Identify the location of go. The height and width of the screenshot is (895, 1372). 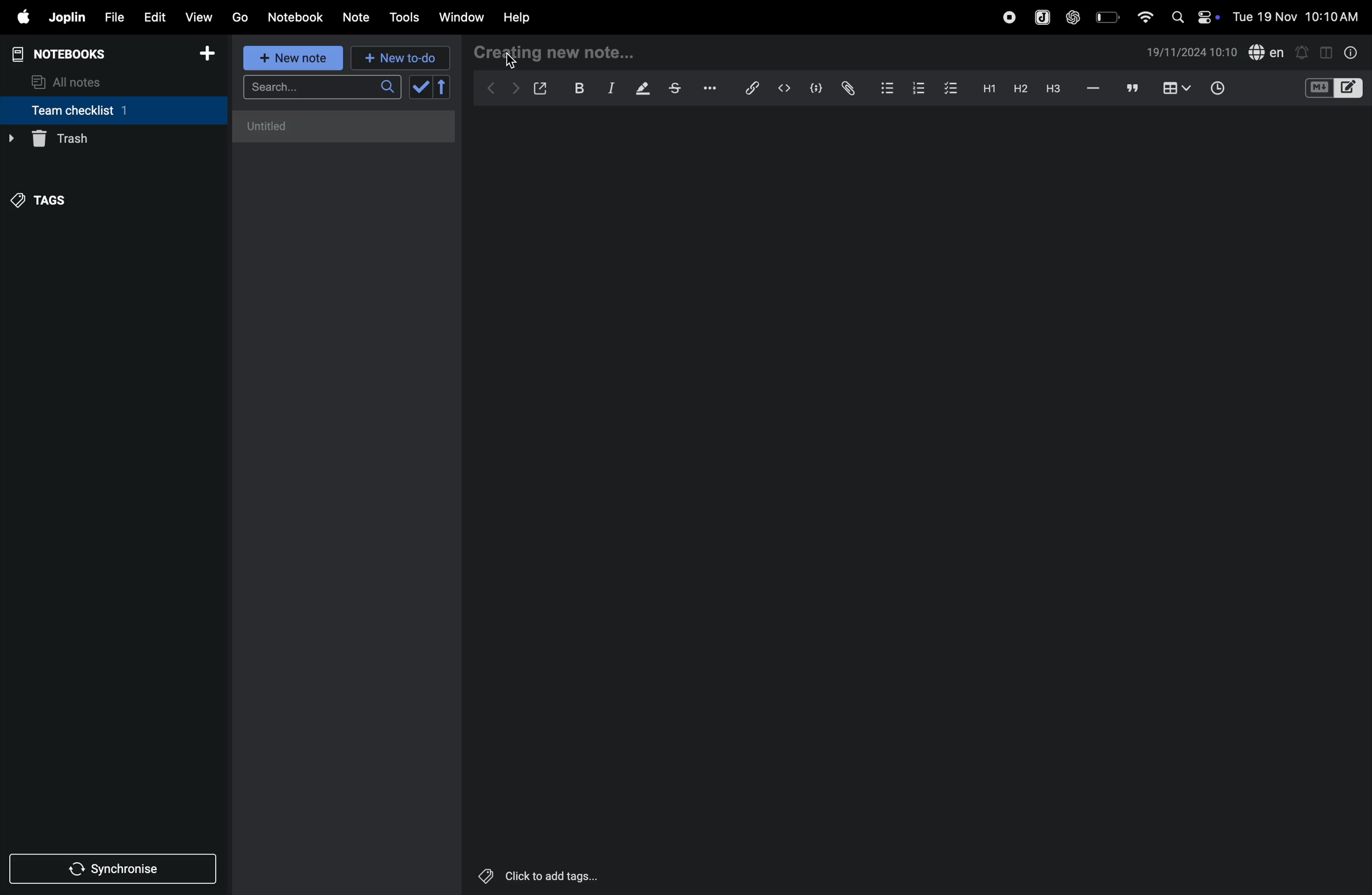
(240, 18).